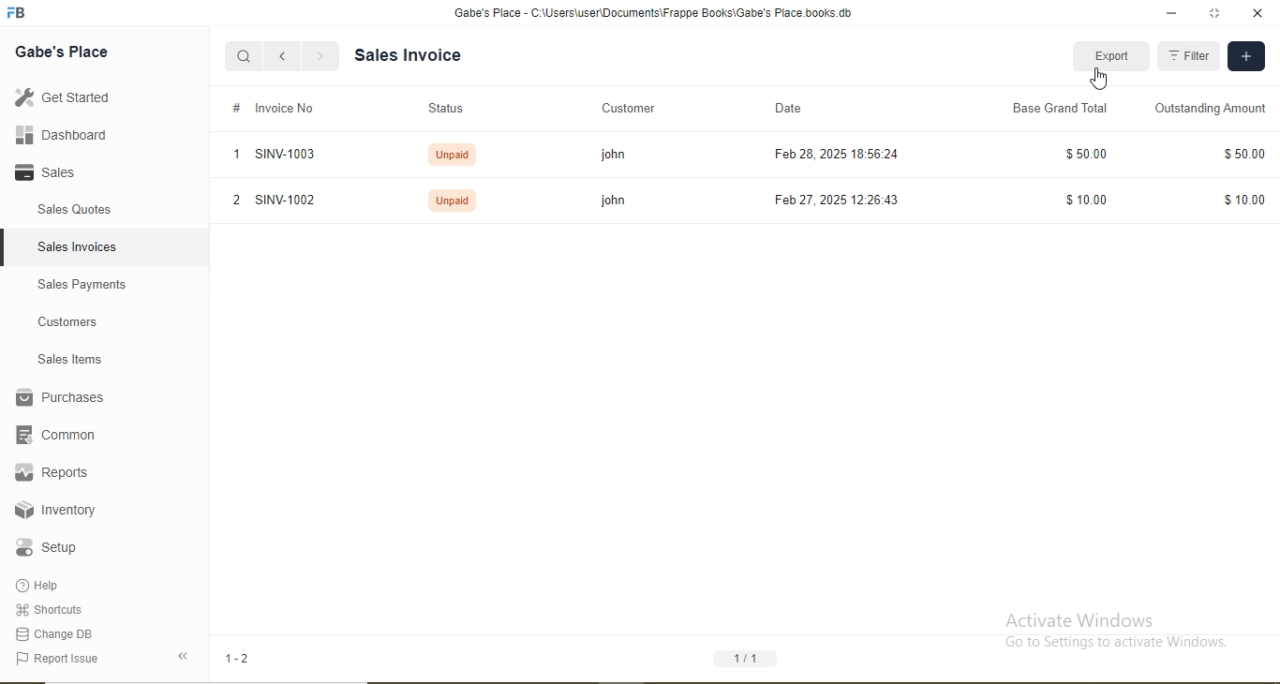  Describe the element at coordinates (626, 108) in the screenshot. I see `Customer` at that location.